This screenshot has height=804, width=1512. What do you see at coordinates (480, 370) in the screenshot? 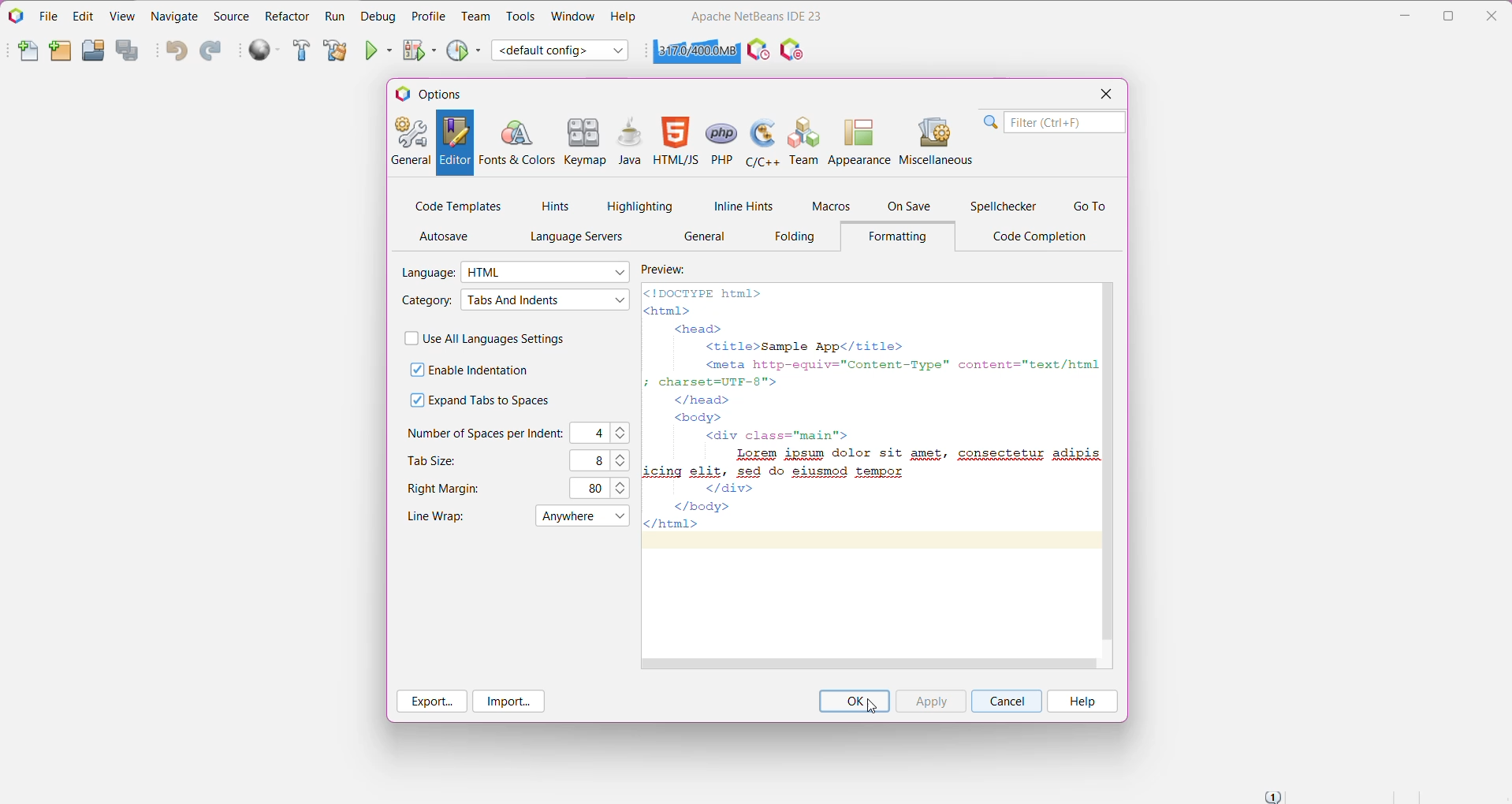
I see `Enable Indentation` at bounding box center [480, 370].